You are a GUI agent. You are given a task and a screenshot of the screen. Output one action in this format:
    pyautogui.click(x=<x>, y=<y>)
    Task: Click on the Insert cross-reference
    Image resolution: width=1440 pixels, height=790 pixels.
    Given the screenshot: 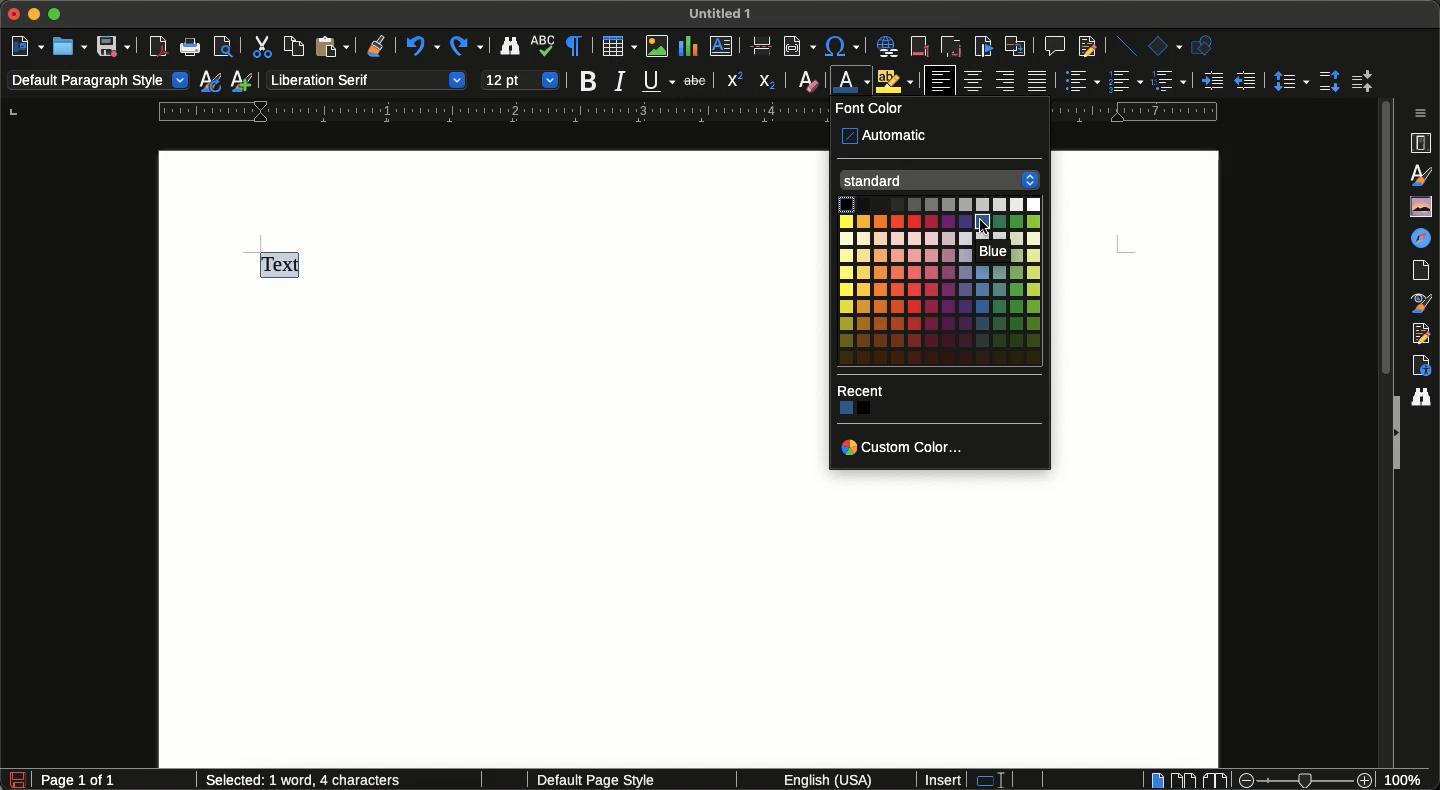 What is the action you would take?
    pyautogui.click(x=1014, y=46)
    